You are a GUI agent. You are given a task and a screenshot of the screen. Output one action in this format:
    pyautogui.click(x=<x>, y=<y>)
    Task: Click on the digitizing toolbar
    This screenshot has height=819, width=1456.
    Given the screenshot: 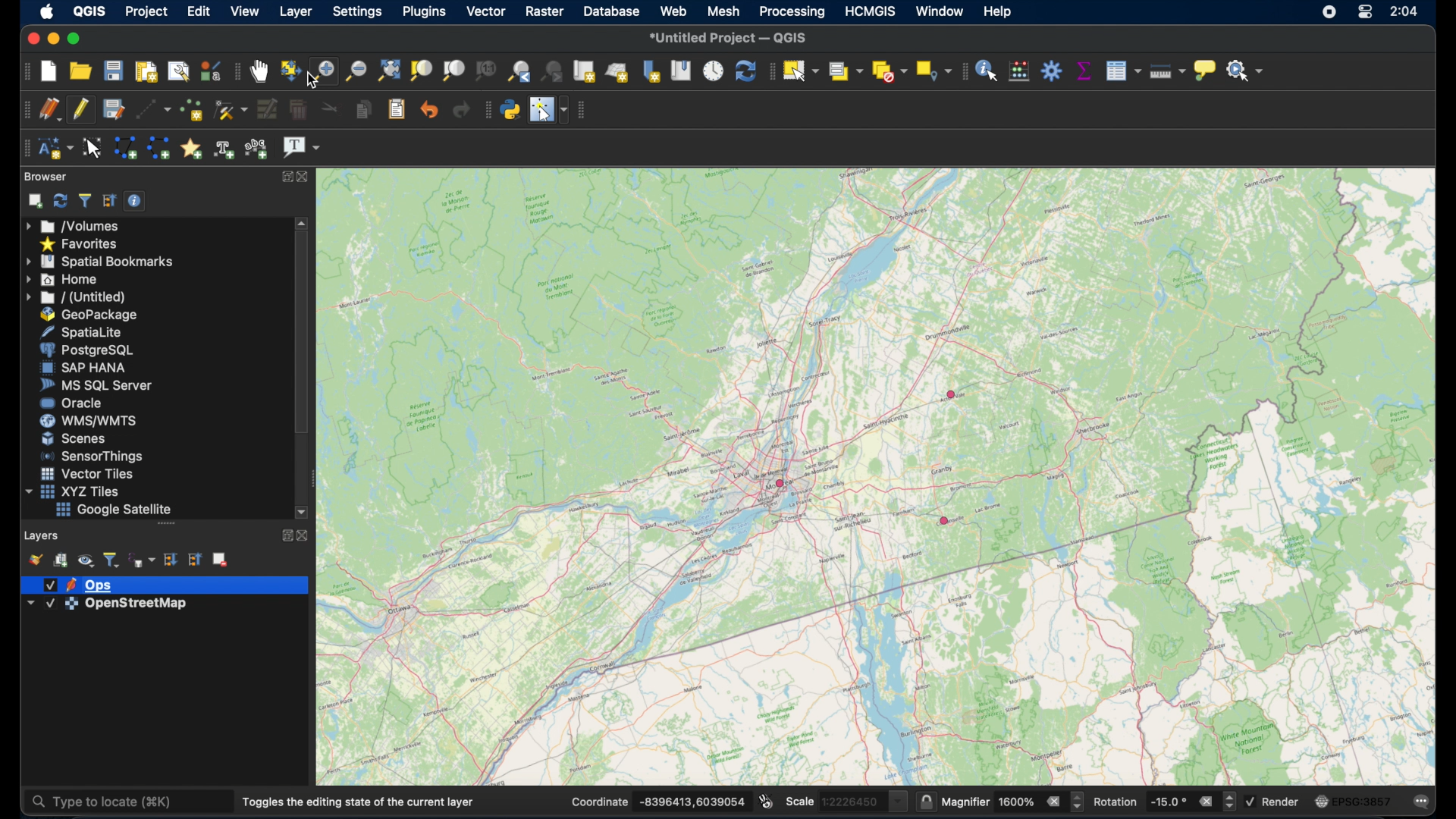 What is the action you would take?
    pyautogui.click(x=24, y=109)
    